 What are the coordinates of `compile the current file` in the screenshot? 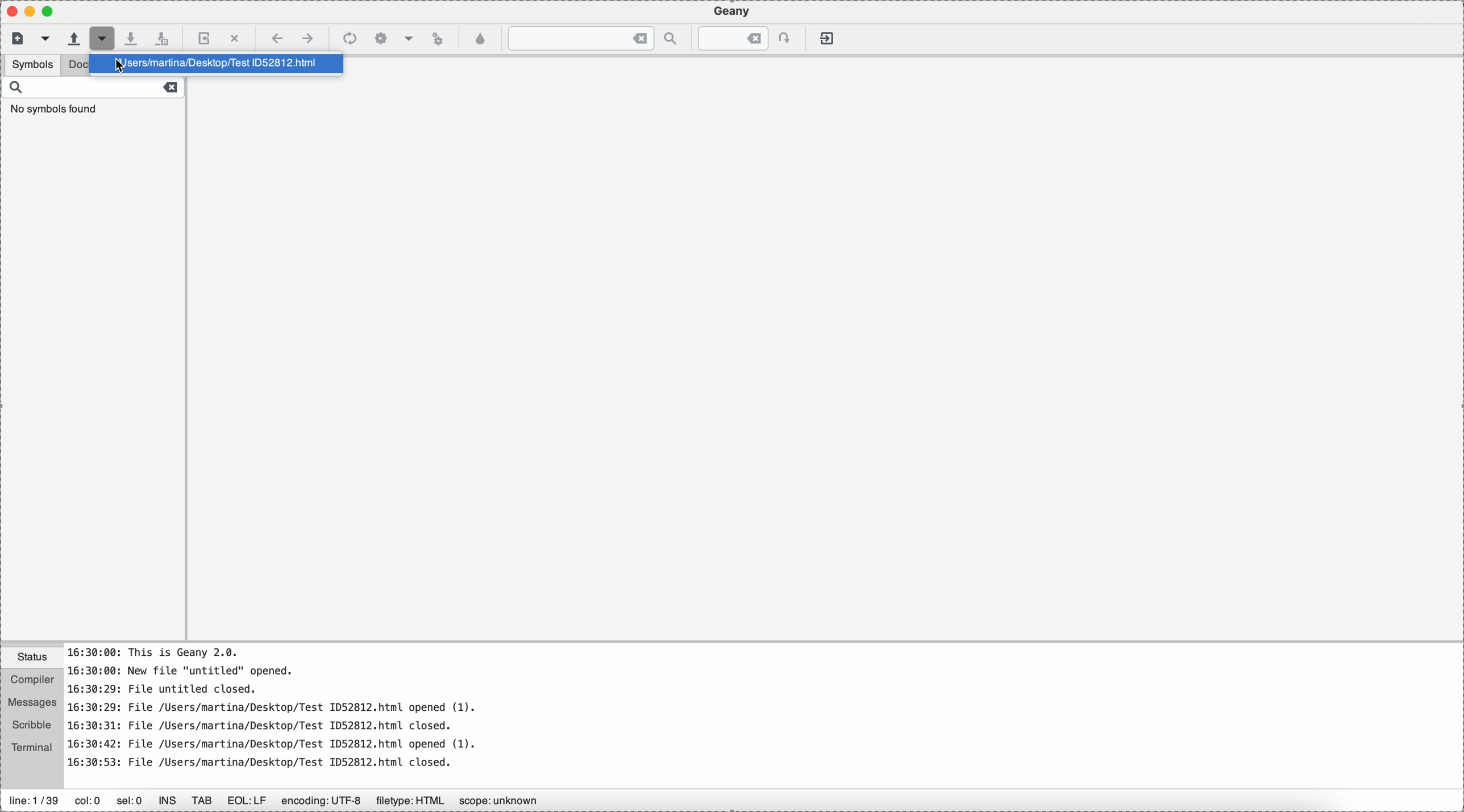 It's located at (350, 38).